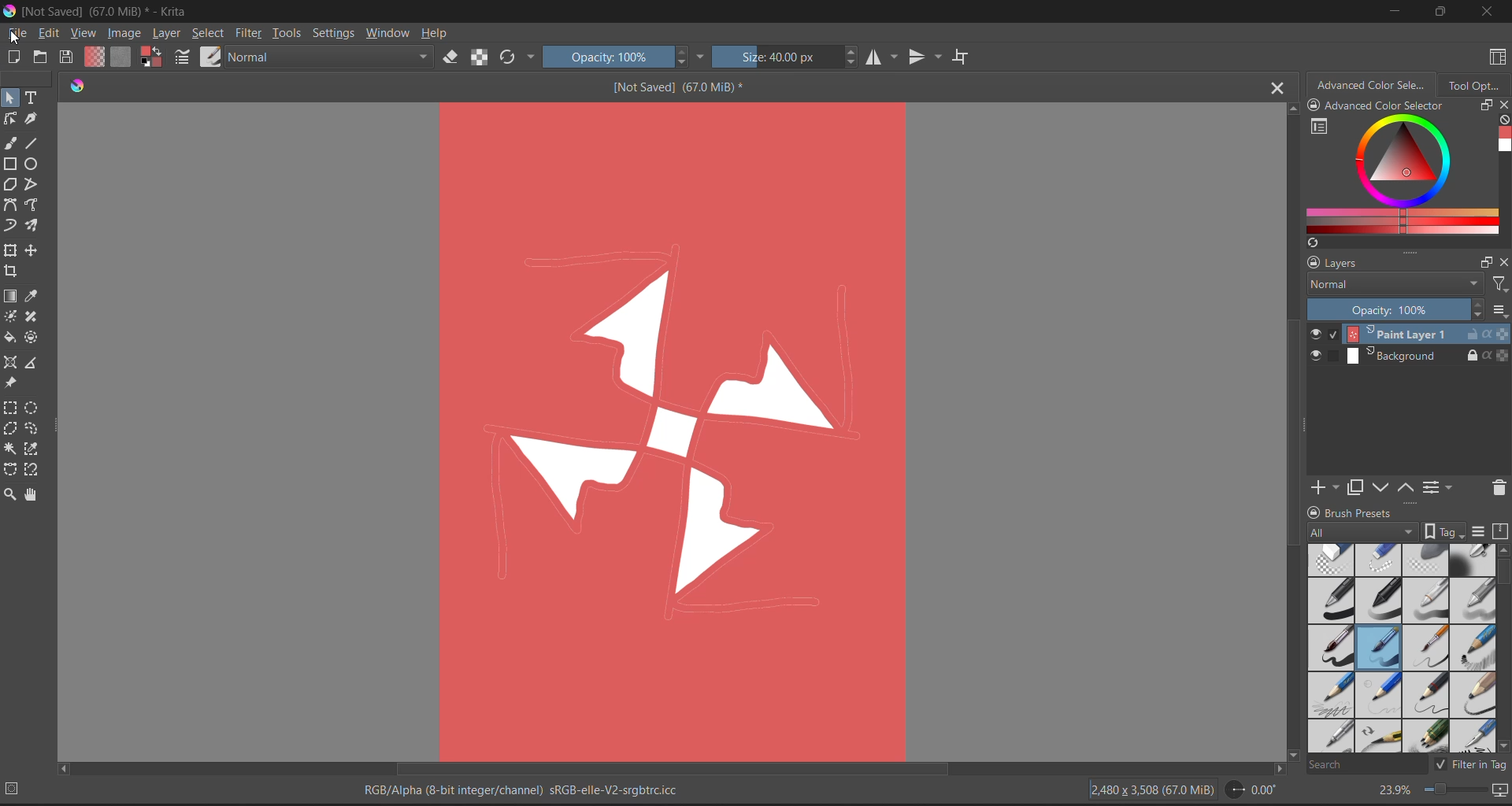  I want to click on tools, so click(10, 273).